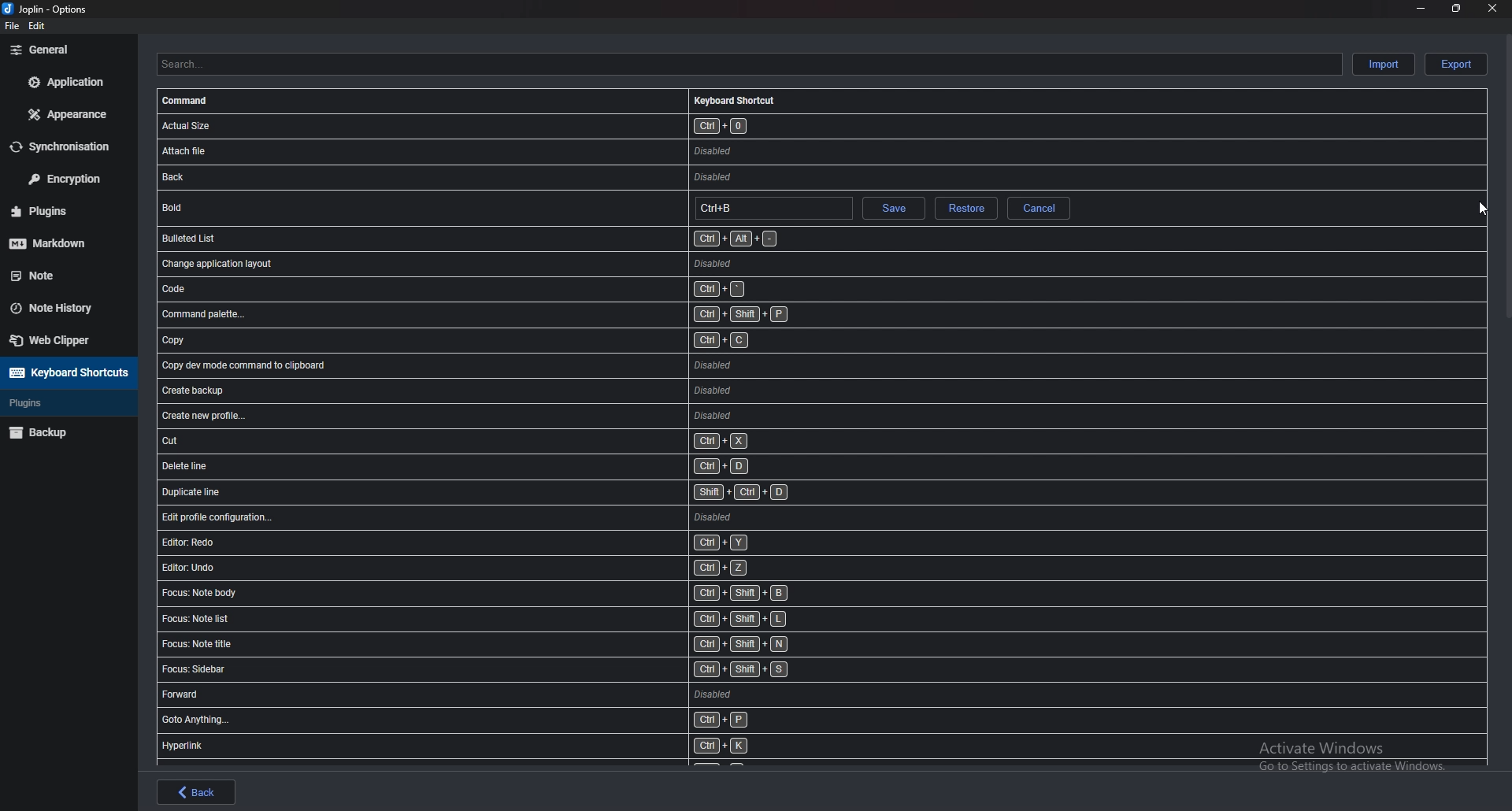 The image size is (1512, 811). What do you see at coordinates (66, 340) in the screenshot?
I see `Web Clipper` at bounding box center [66, 340].